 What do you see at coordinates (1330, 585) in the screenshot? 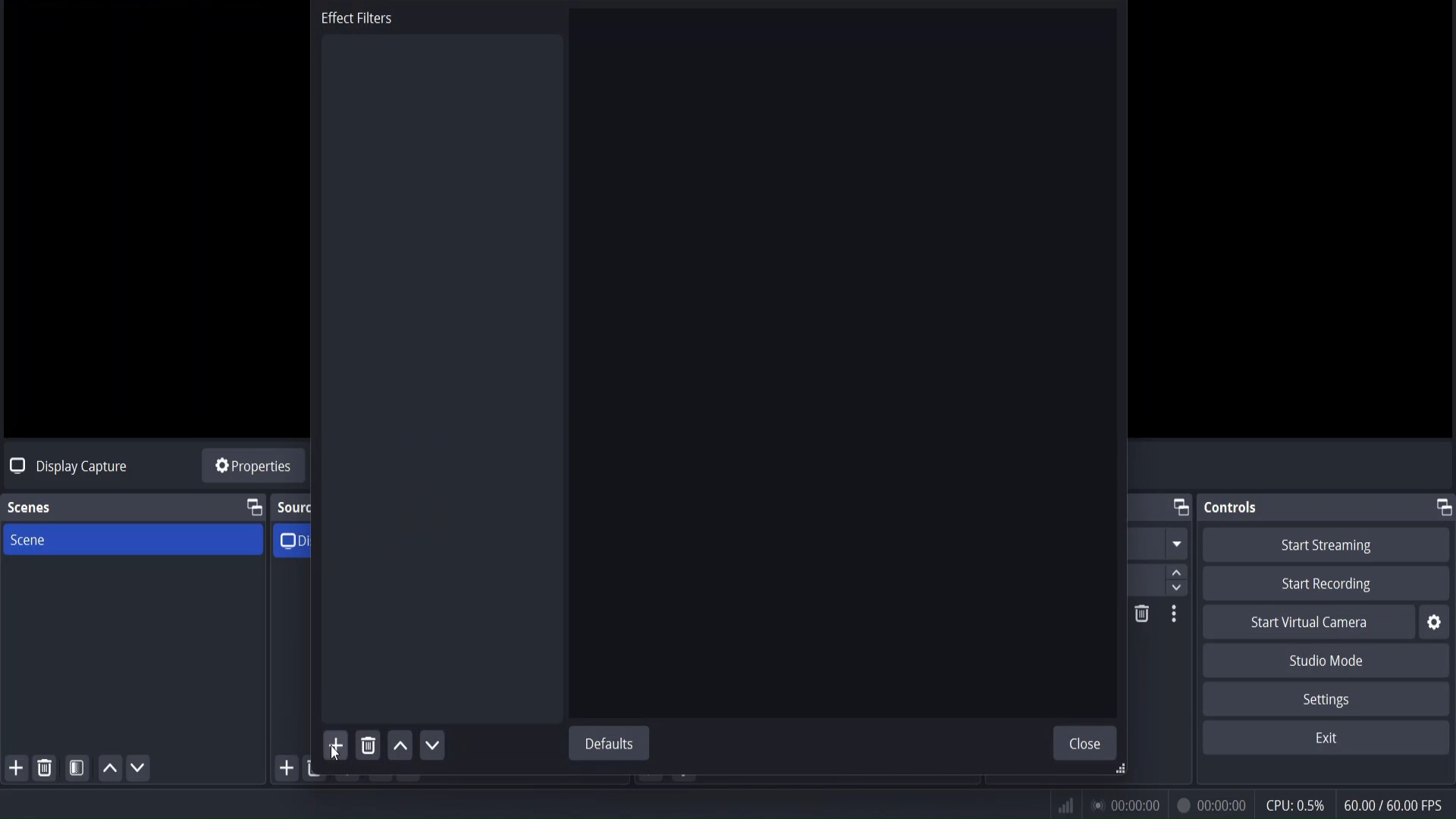
I see `start recording` at bounding box center [1330, 585].